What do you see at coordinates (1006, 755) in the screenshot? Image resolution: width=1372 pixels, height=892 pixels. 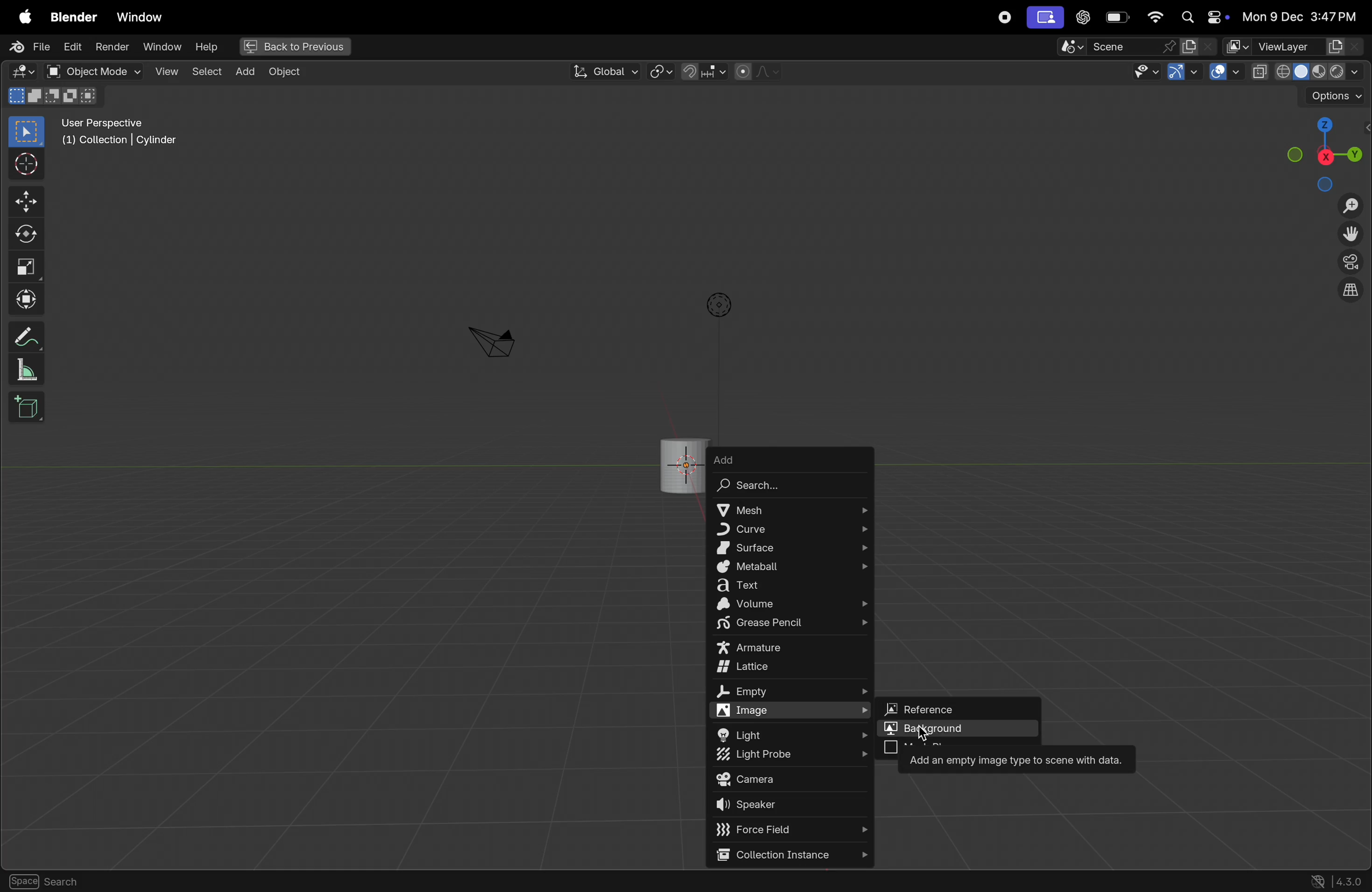 I see `` at bounding box center [1006, 755].